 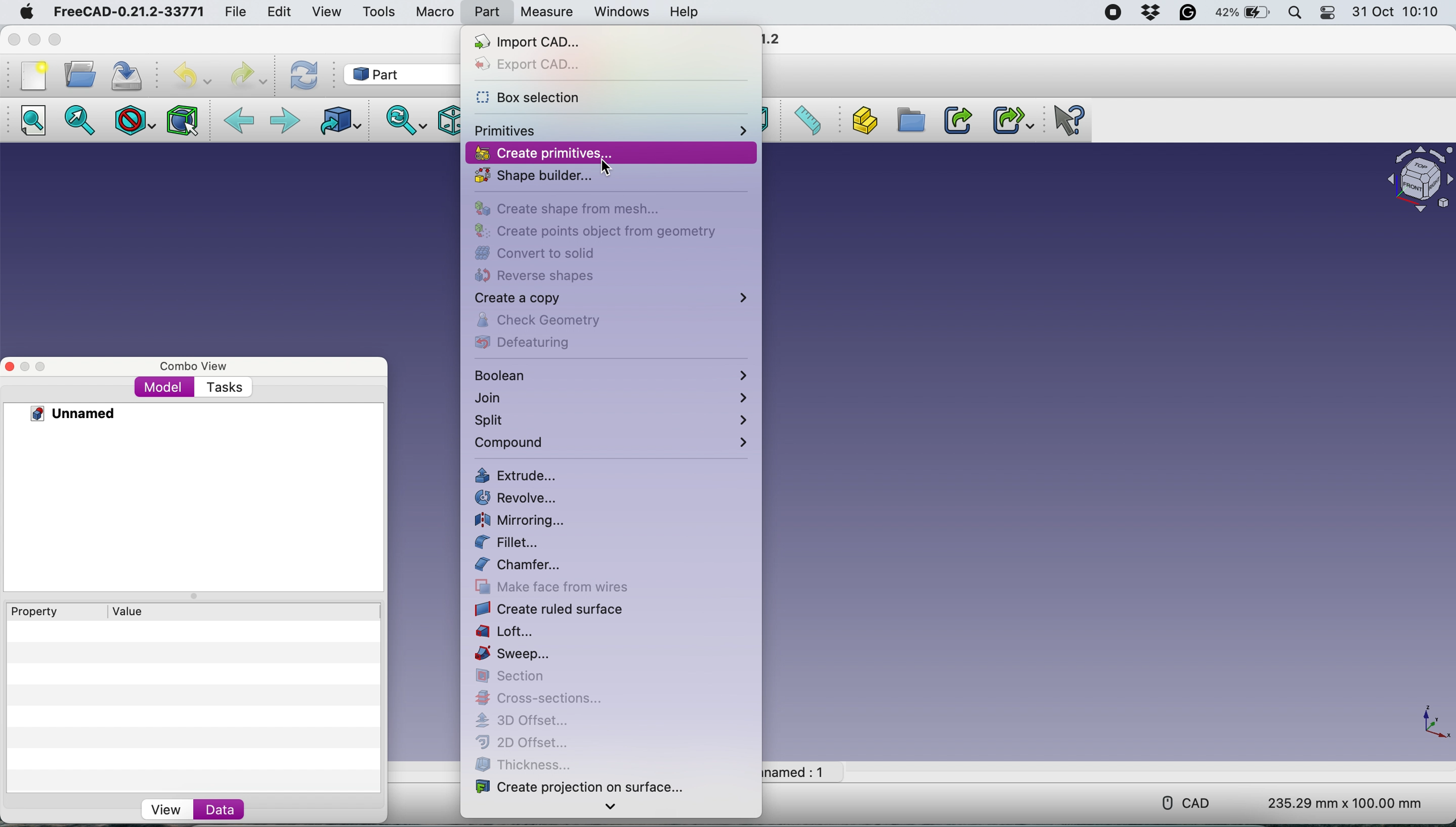 What do you see at coordinates (54, 40) in the screenshot?
I see `Maximize` at bounding box center [54, 40].